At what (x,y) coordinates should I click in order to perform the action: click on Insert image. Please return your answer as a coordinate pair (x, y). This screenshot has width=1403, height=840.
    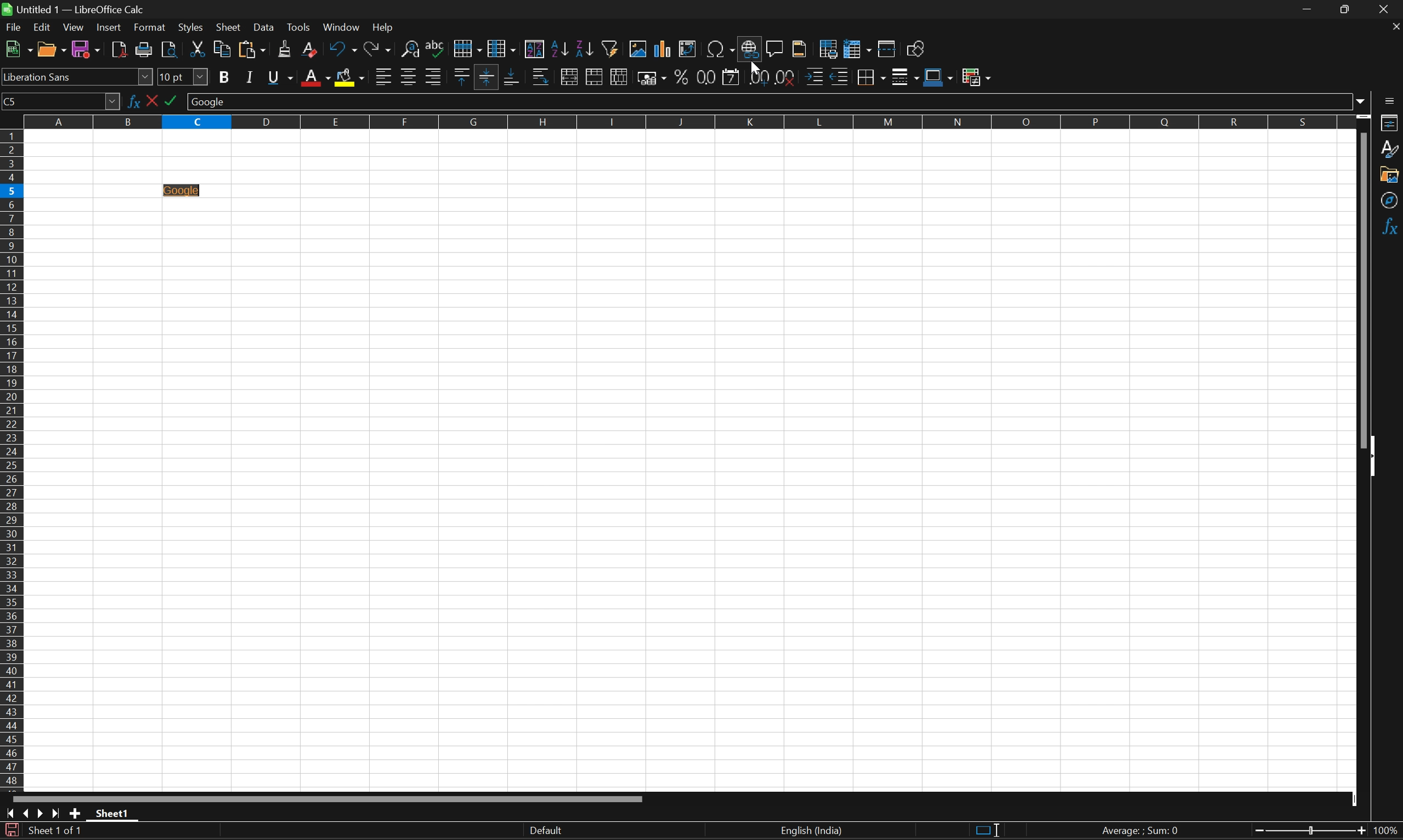
    Looking at the image, I should click on (639, 48).